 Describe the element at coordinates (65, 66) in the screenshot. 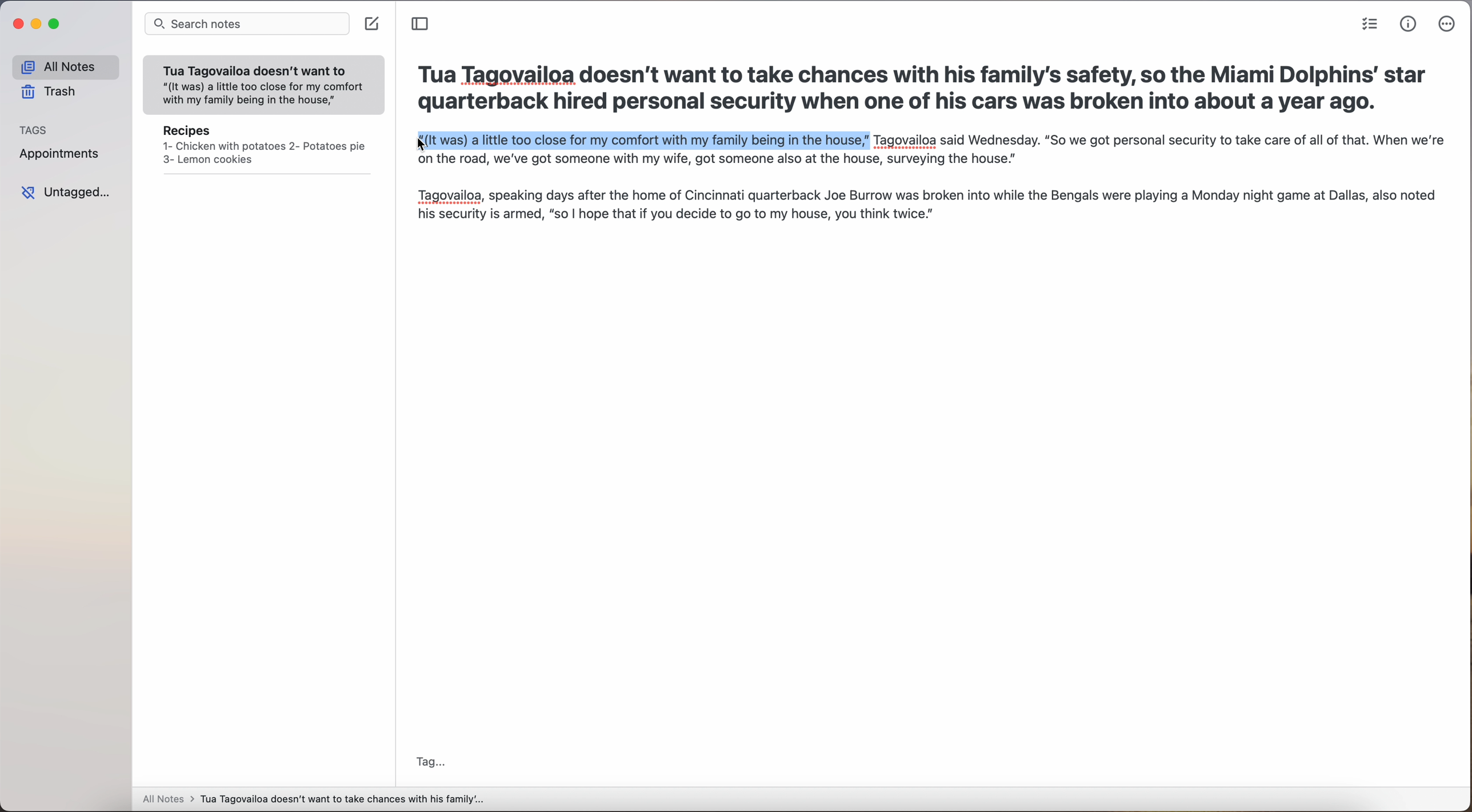

I see `all notes` at that location.